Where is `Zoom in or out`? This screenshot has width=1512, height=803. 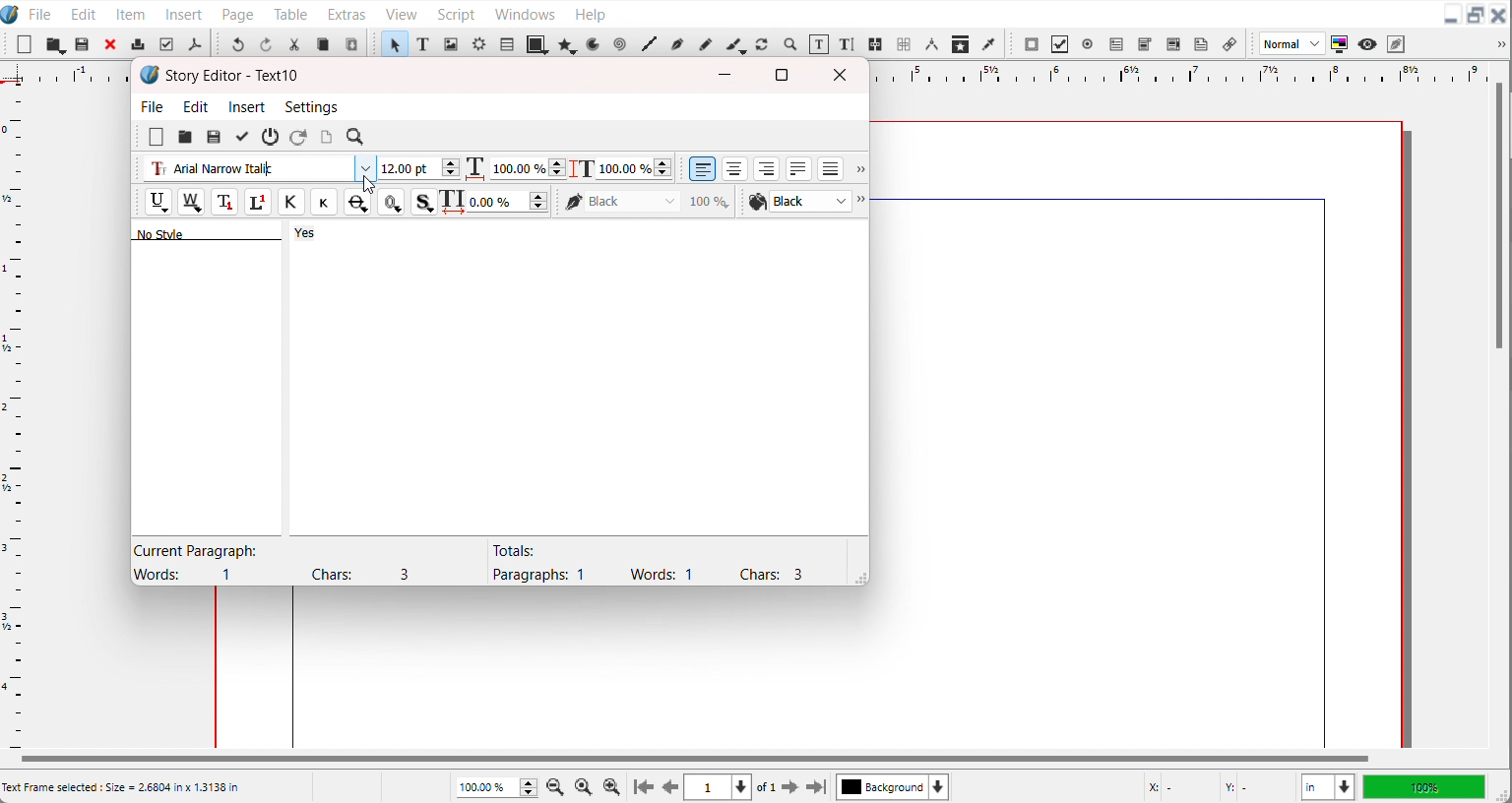
Zoom in or out is located at coordinates (788, 43).